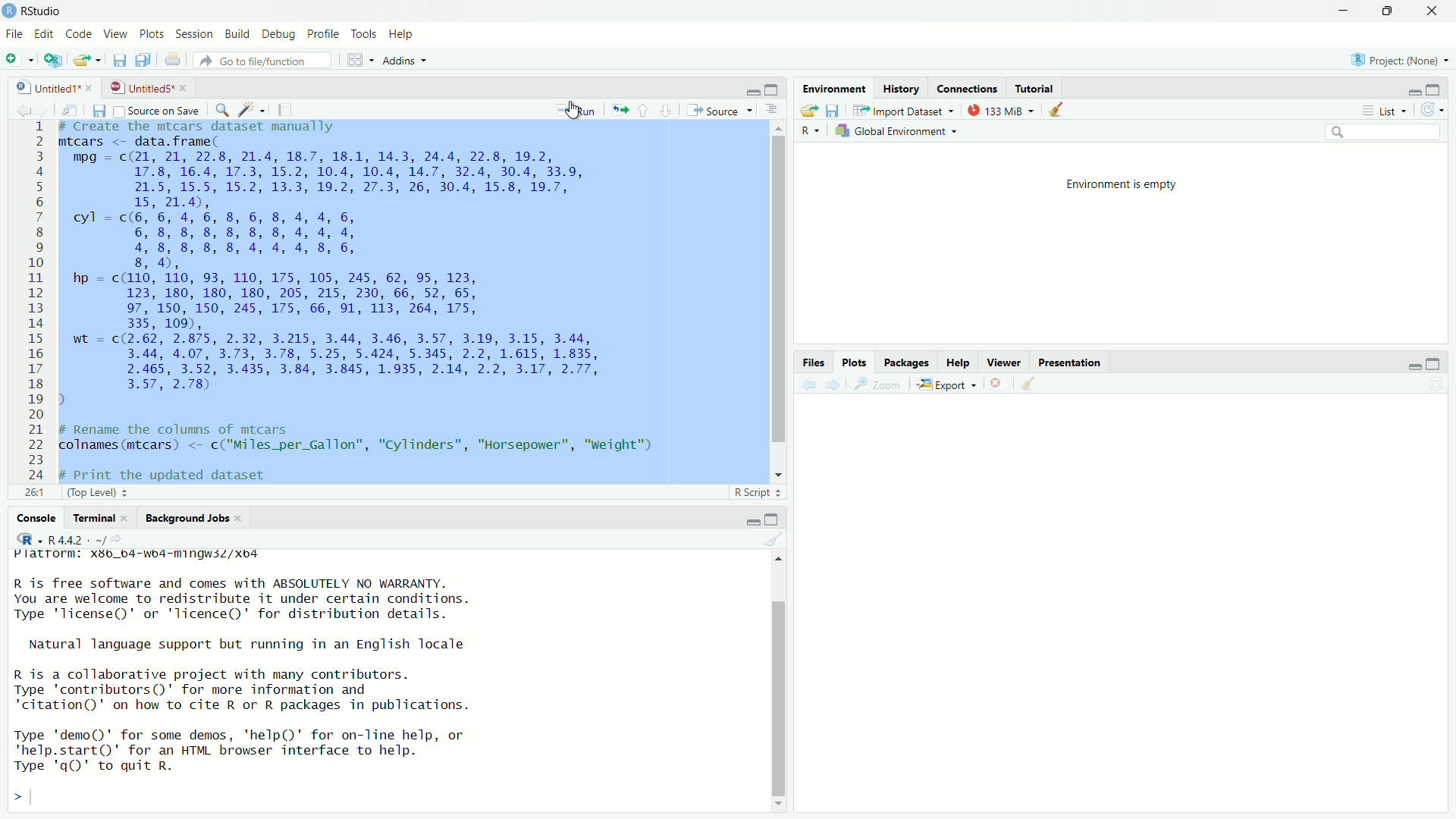  Describe the element at coordinates (572, 113) in the screenshot. I see `cursor` at that location.